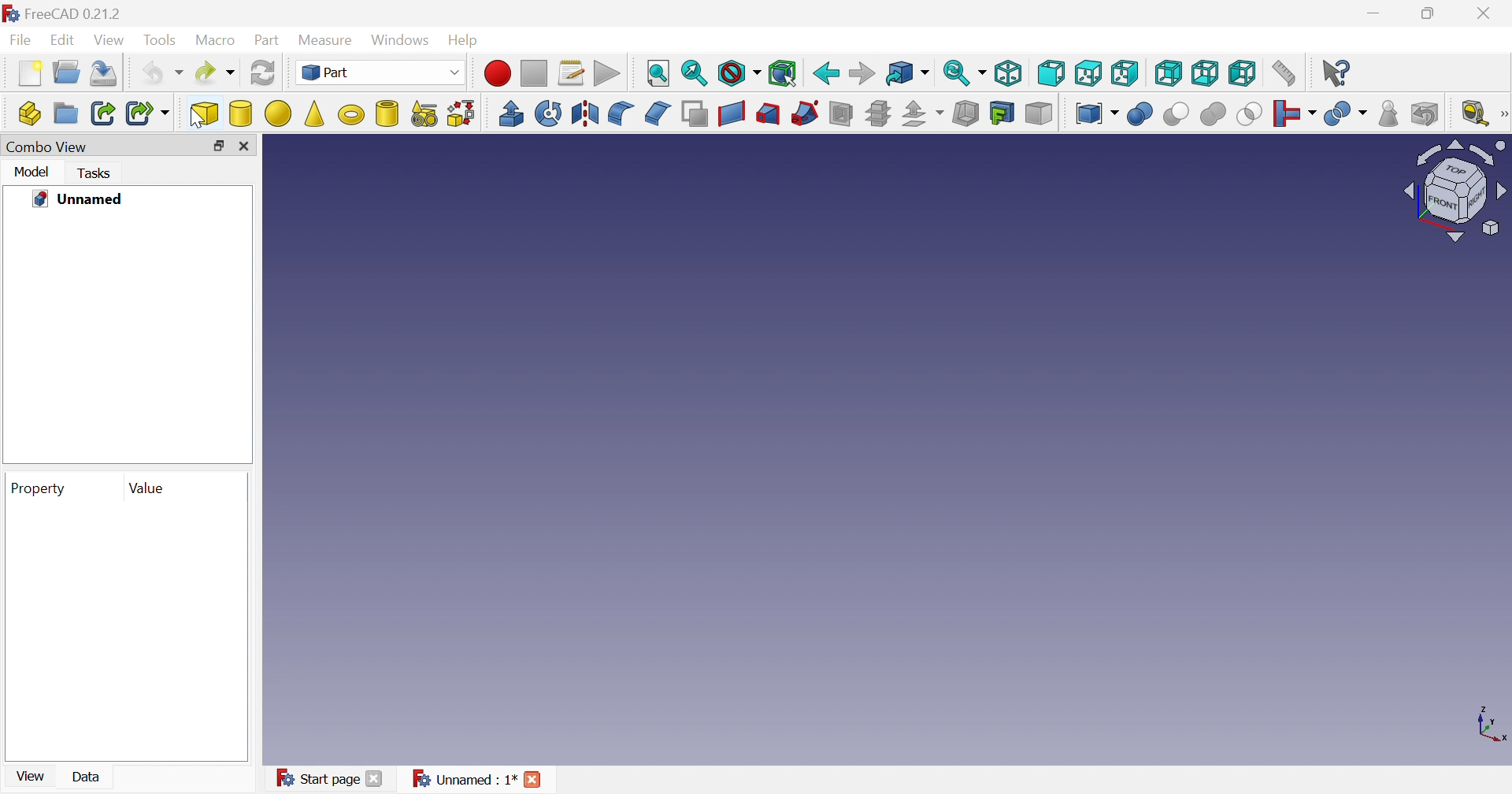  Describe the element at coordinates (204, 113) in the screenshot. I see `cube` at that location.